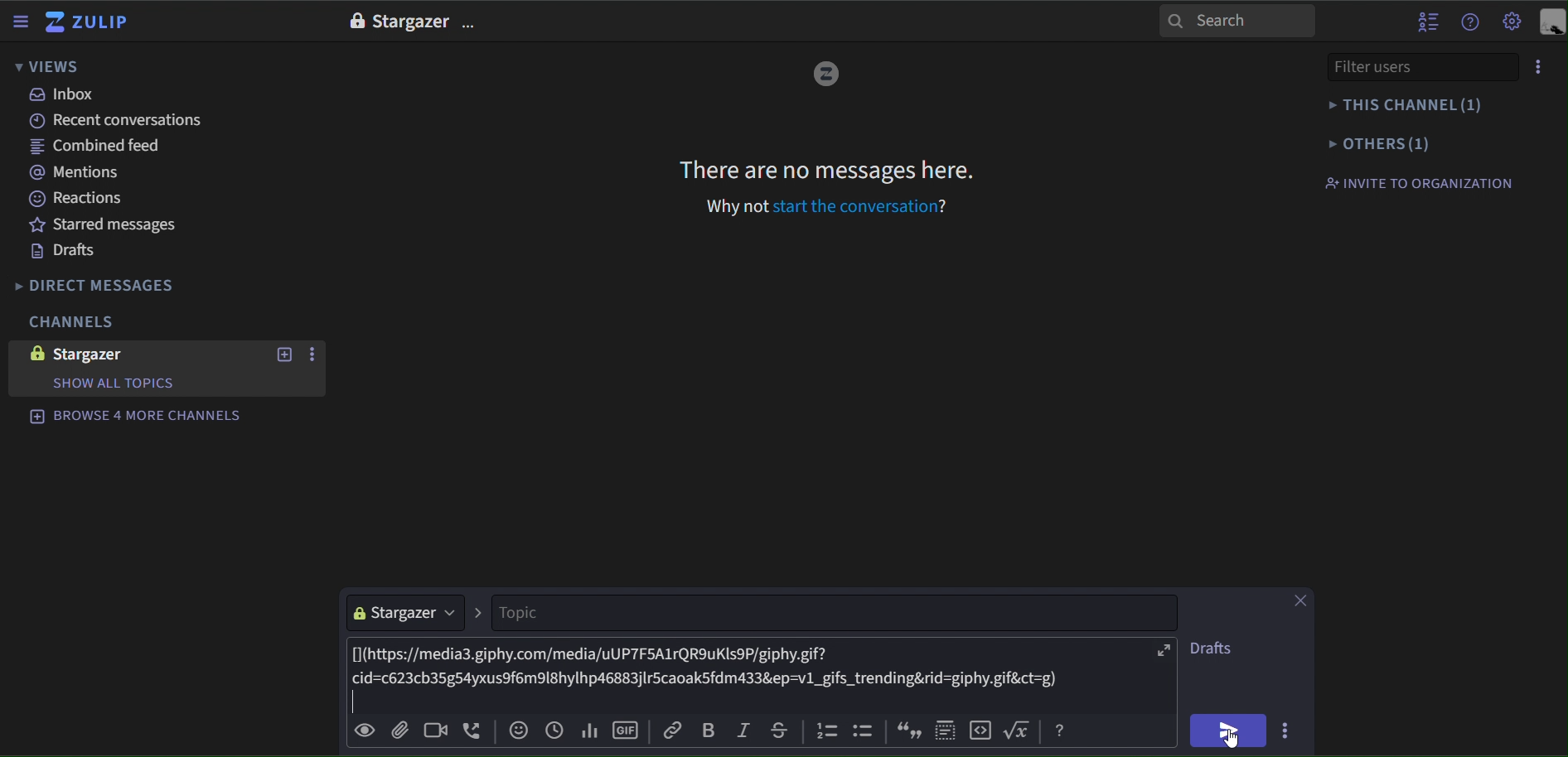 This screenshot has height=757, width=1568. What do you see at coordinates (748, 675) in the screenshot?
I see `[](https://media3.giphy.com/media/uUP7F5A1rQRIuKIs9P/giphy.gif?cid=c623cb35g54yxus9fém9I8hylhp46883jlr5caoak5fdm433&ep=vl_gifs_trending&rid=giphy.gif&ct=g)` at bounding box center [748, 675].